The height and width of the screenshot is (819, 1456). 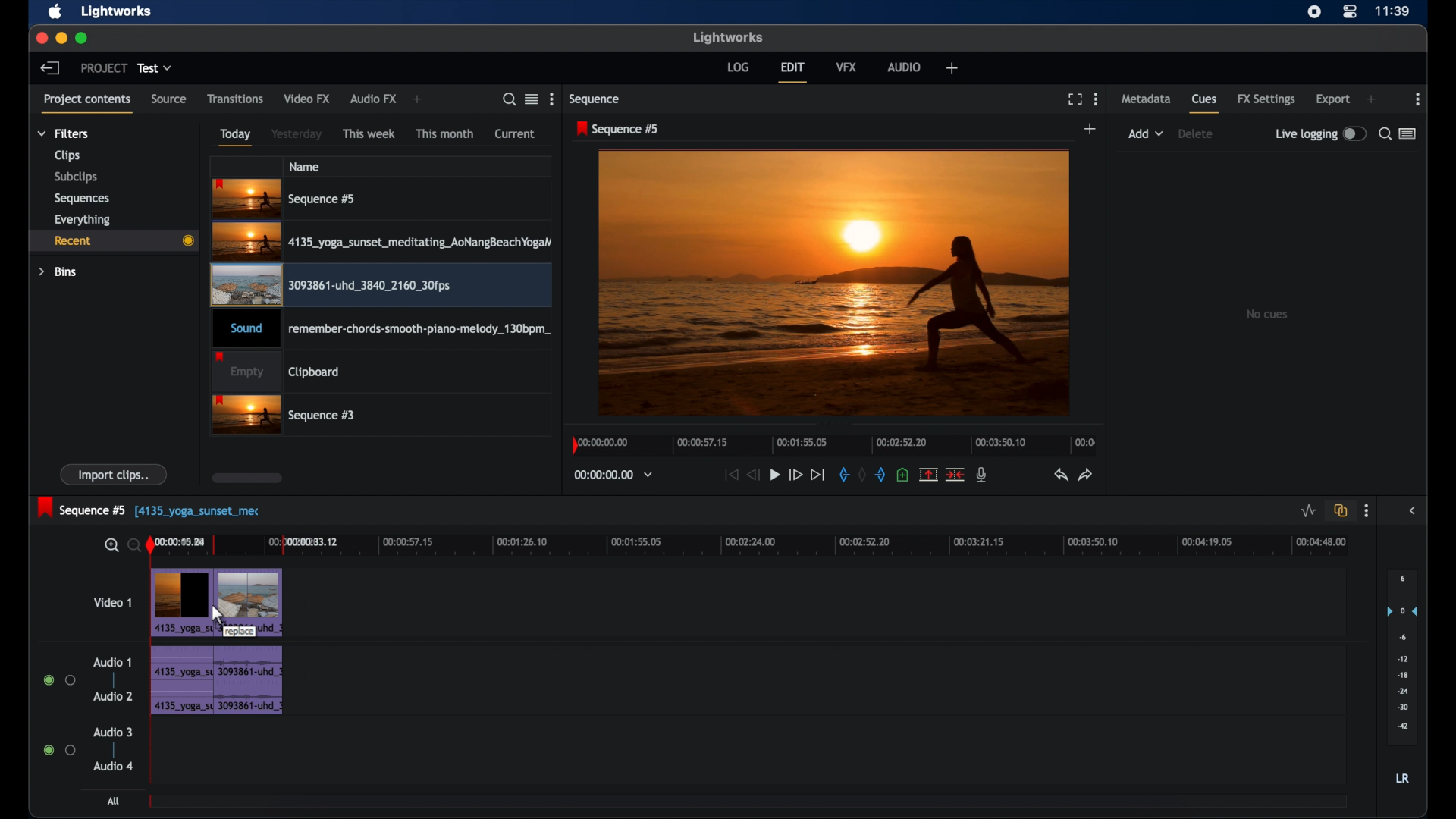 What do you see at coordinates (287, 199) in the screenshot?
I see `sequence 5` at bounding box center [287, 199].